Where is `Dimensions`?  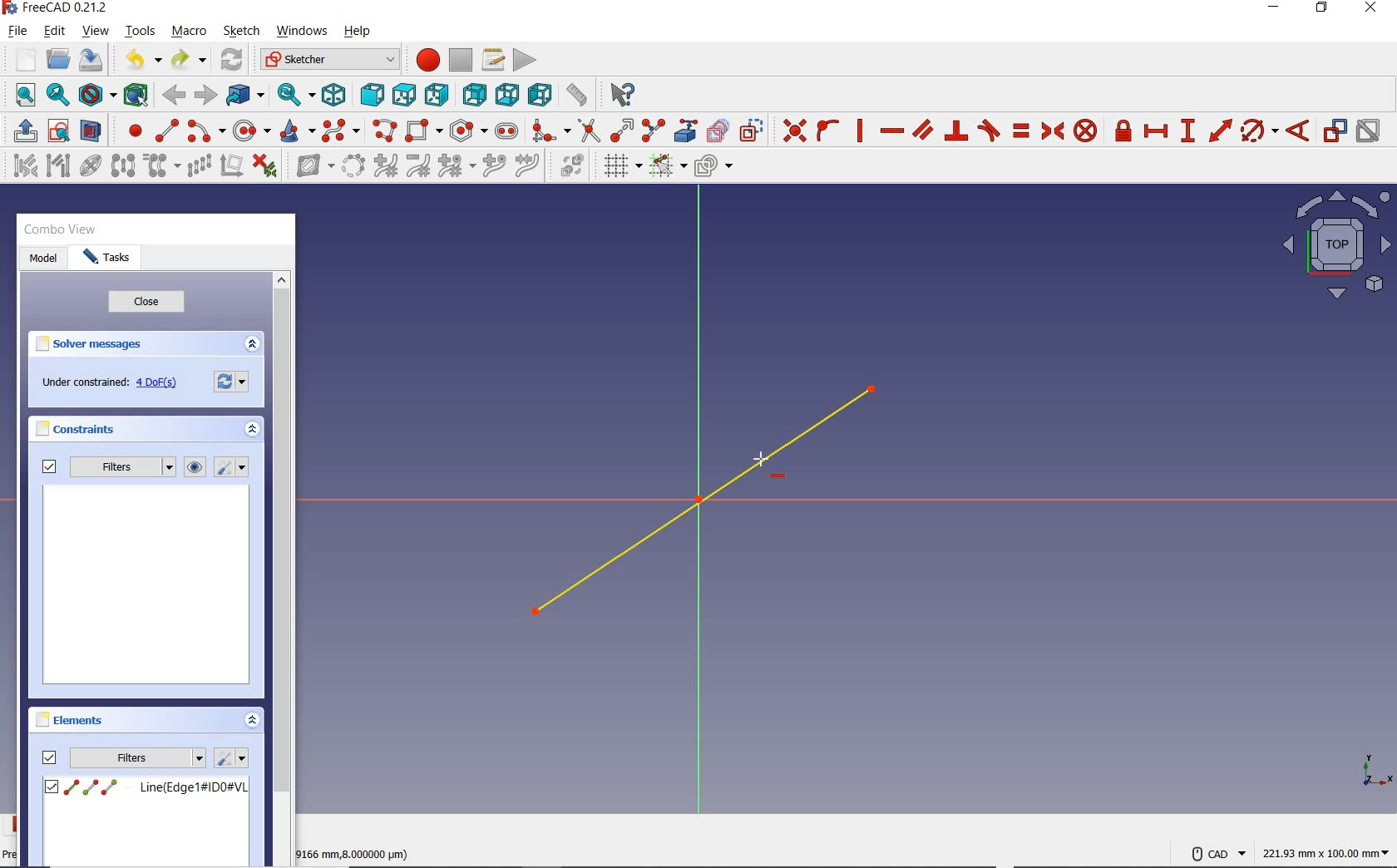
Dimensions is located at coordinates (1328, 853).